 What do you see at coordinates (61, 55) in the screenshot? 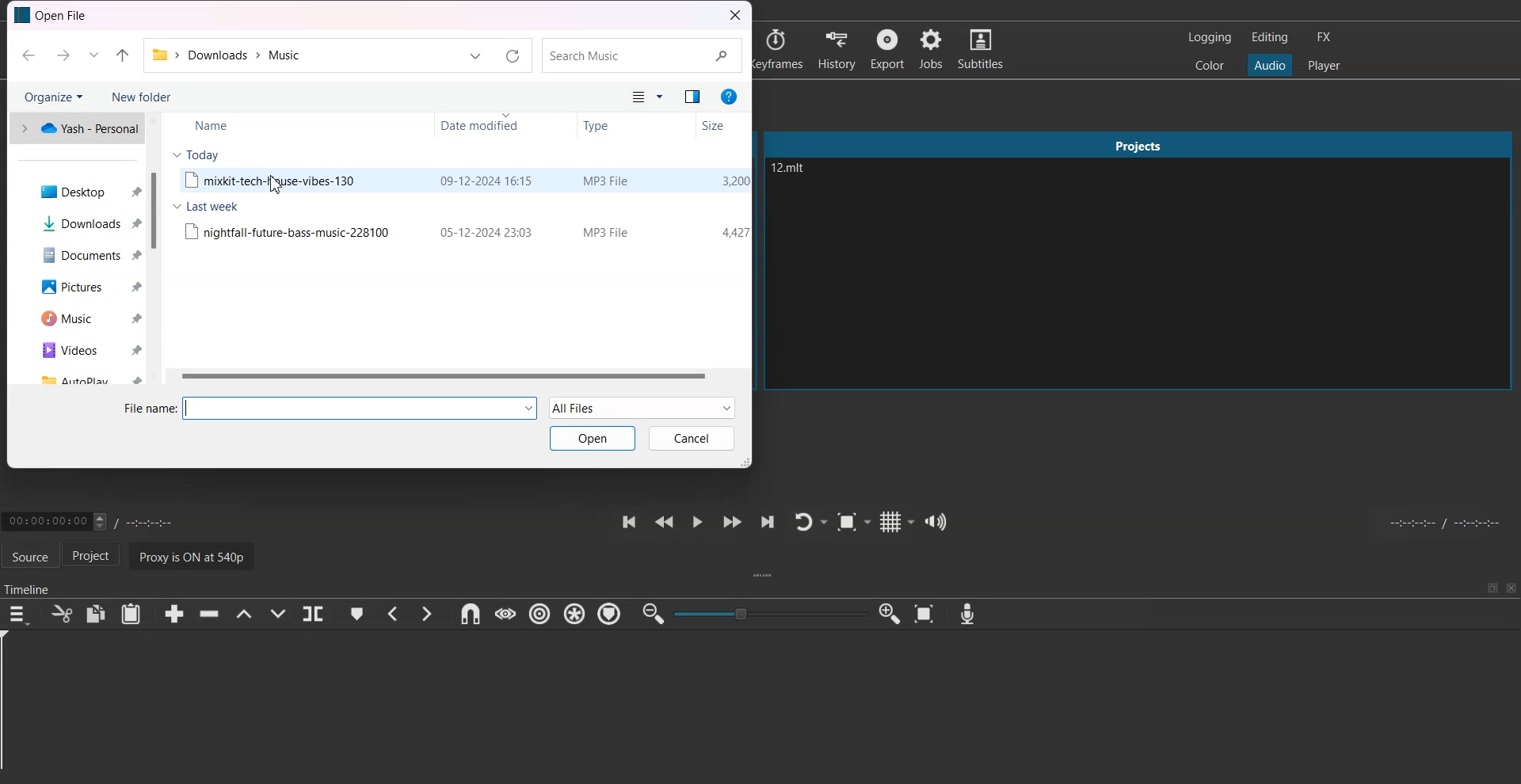
I see `Go Forward` at bounding box center [61, 55].